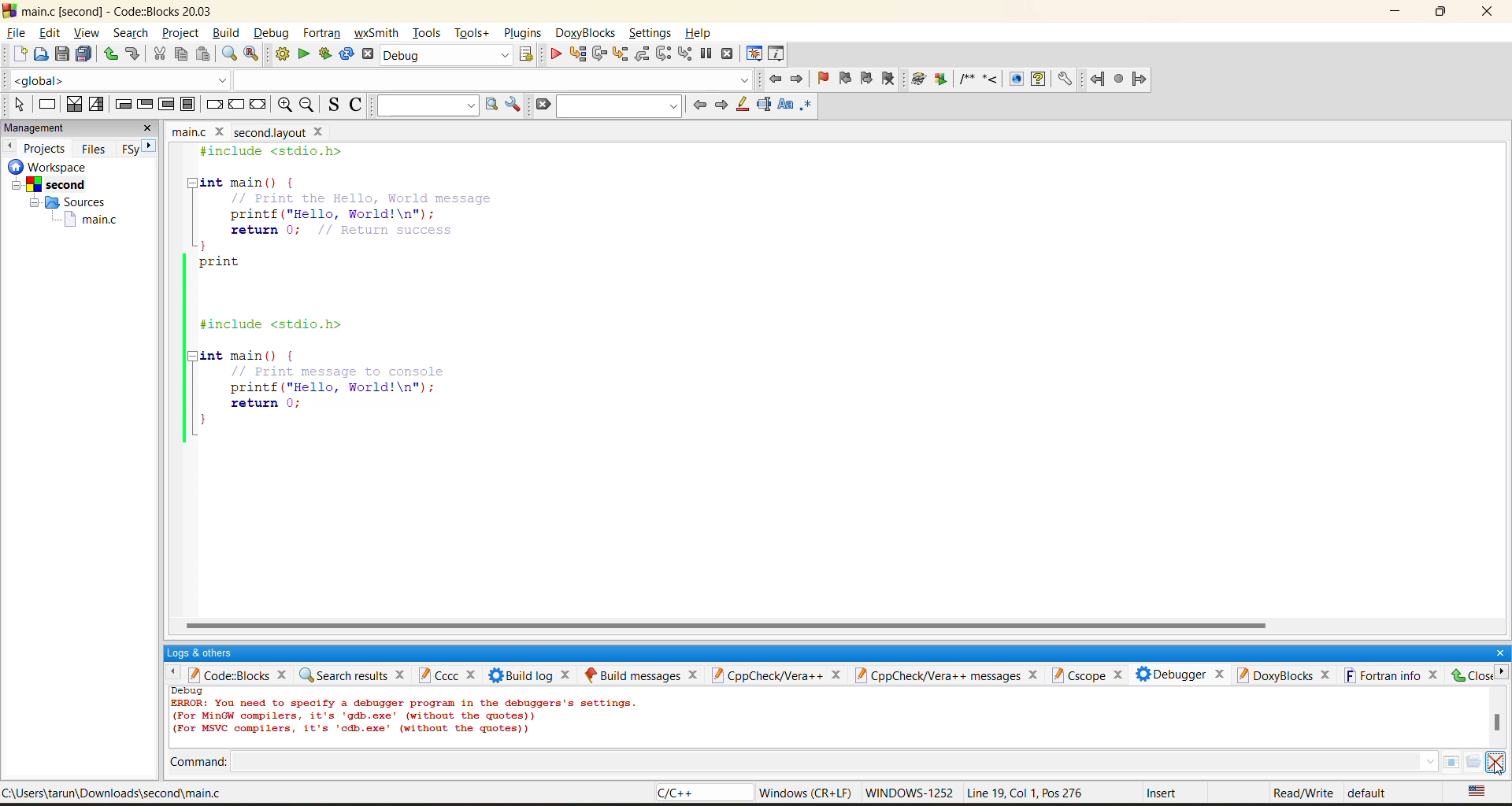 Image resolution: width=1512 pixels, height=806 pixels. What do you see at coordinates (1491, 13) in the screenshot?
I see `close` at bounding box center [1491, 13].